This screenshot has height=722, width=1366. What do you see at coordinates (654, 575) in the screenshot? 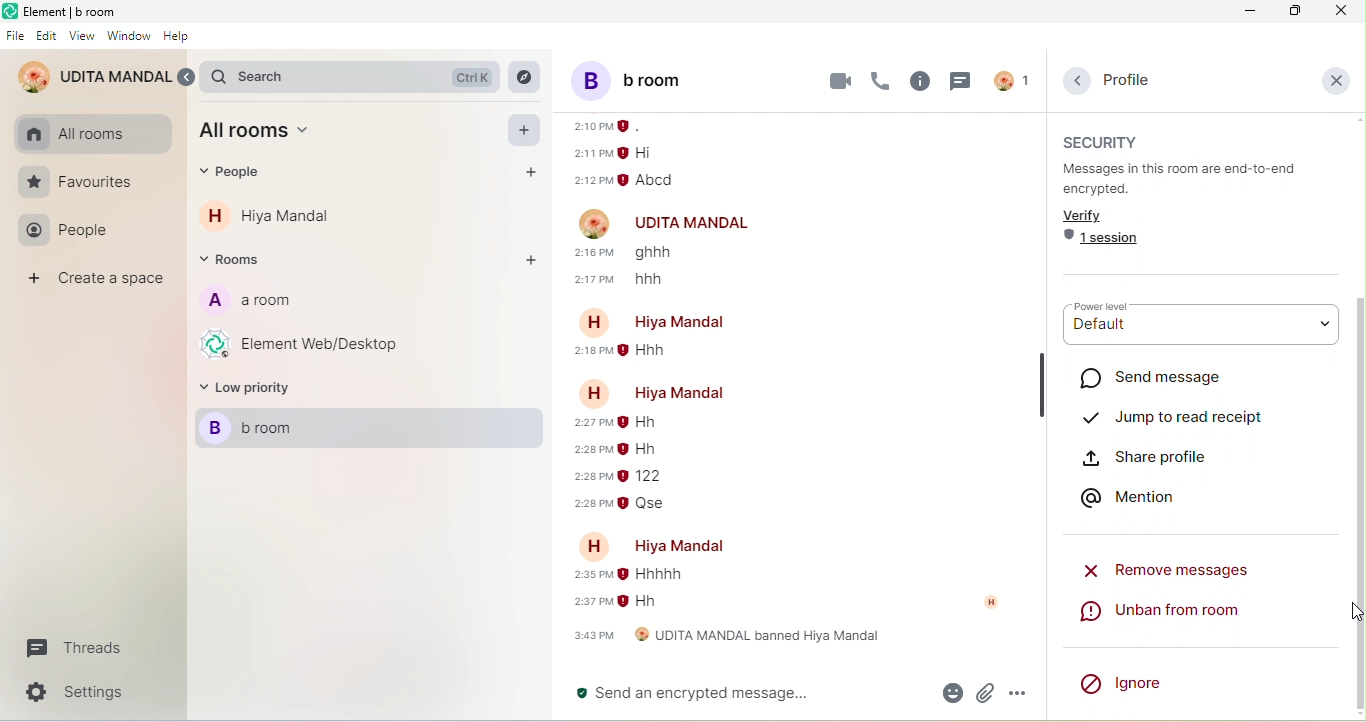
I see `hhhhh-older message of hiya mandal` at bounding box center [654, 575].